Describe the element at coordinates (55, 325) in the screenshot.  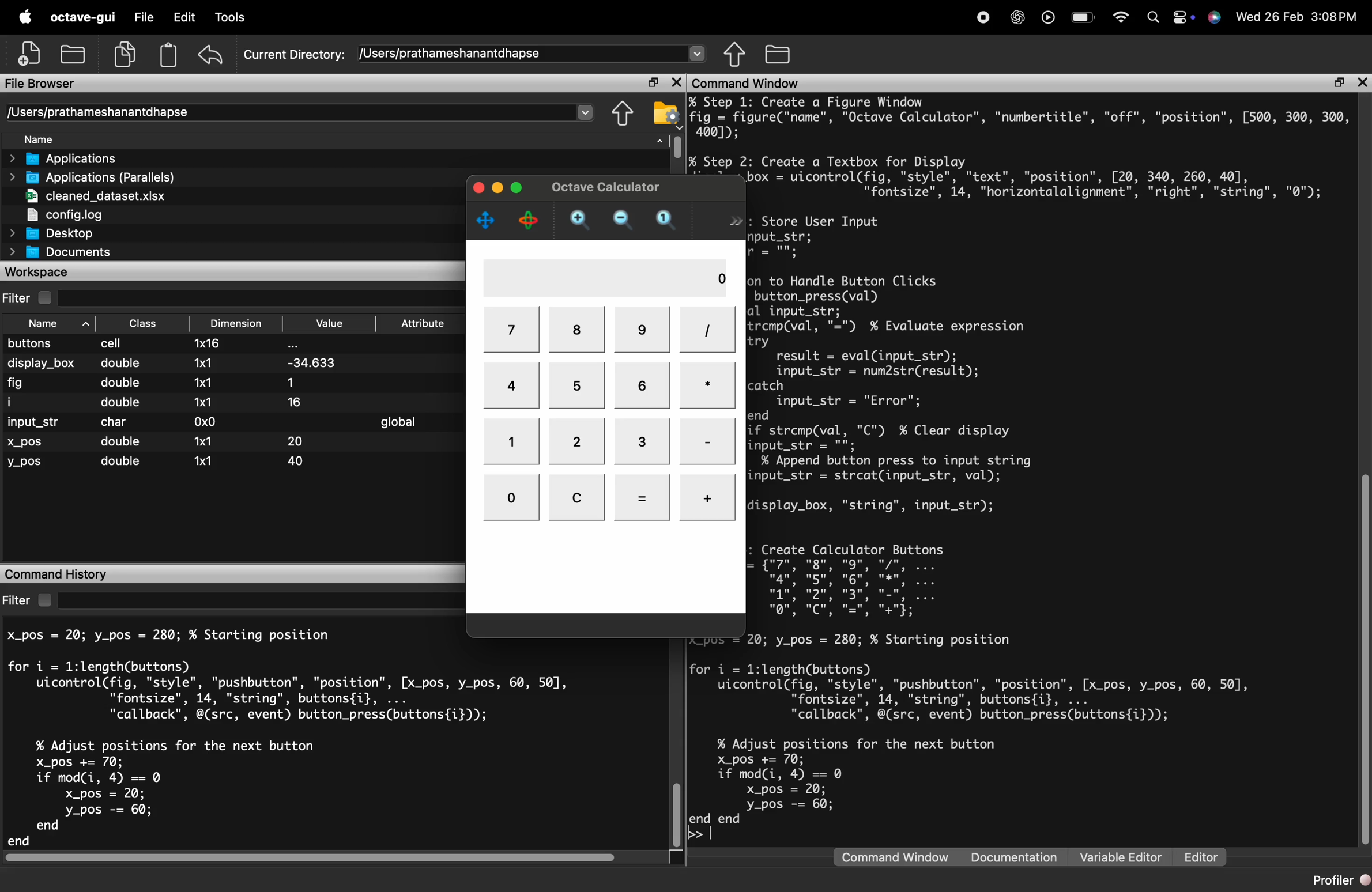
I see `Name ` at that location.